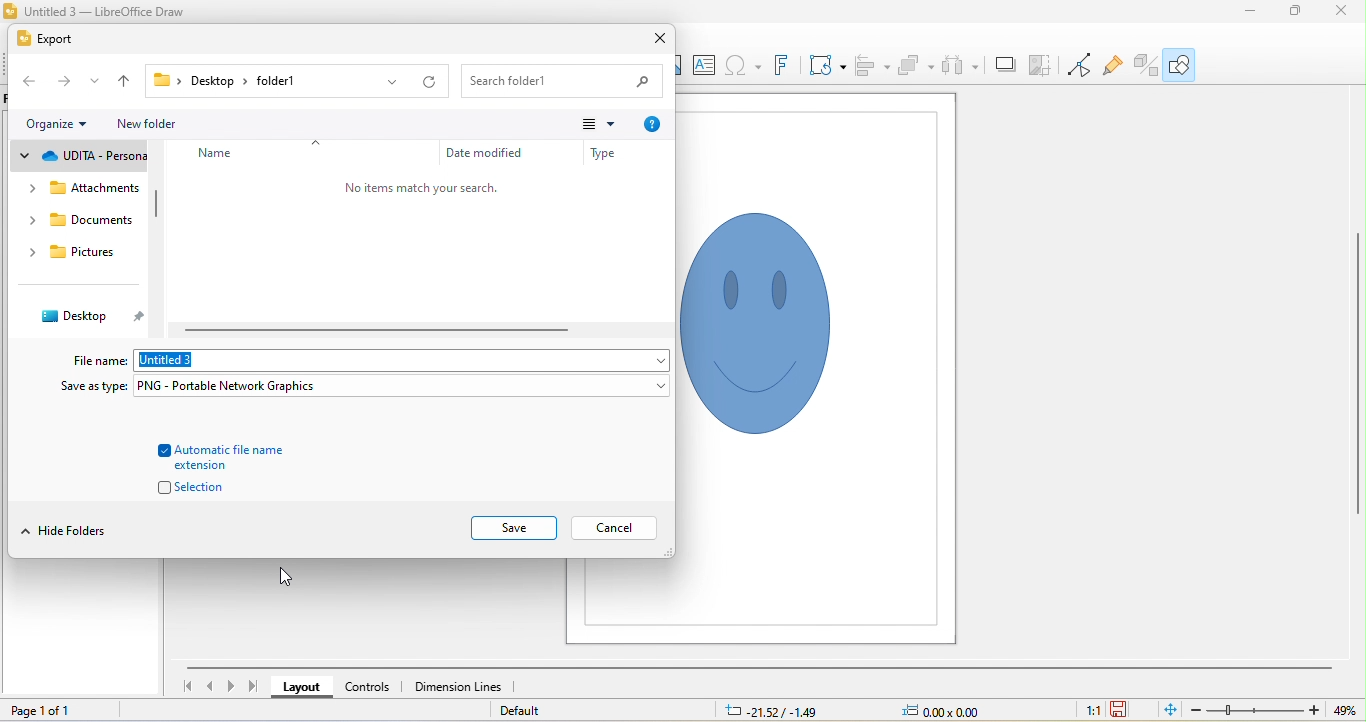 This screenshot has width=1366, height=722. I want to click on file name: untitled3, so click(198, 360).